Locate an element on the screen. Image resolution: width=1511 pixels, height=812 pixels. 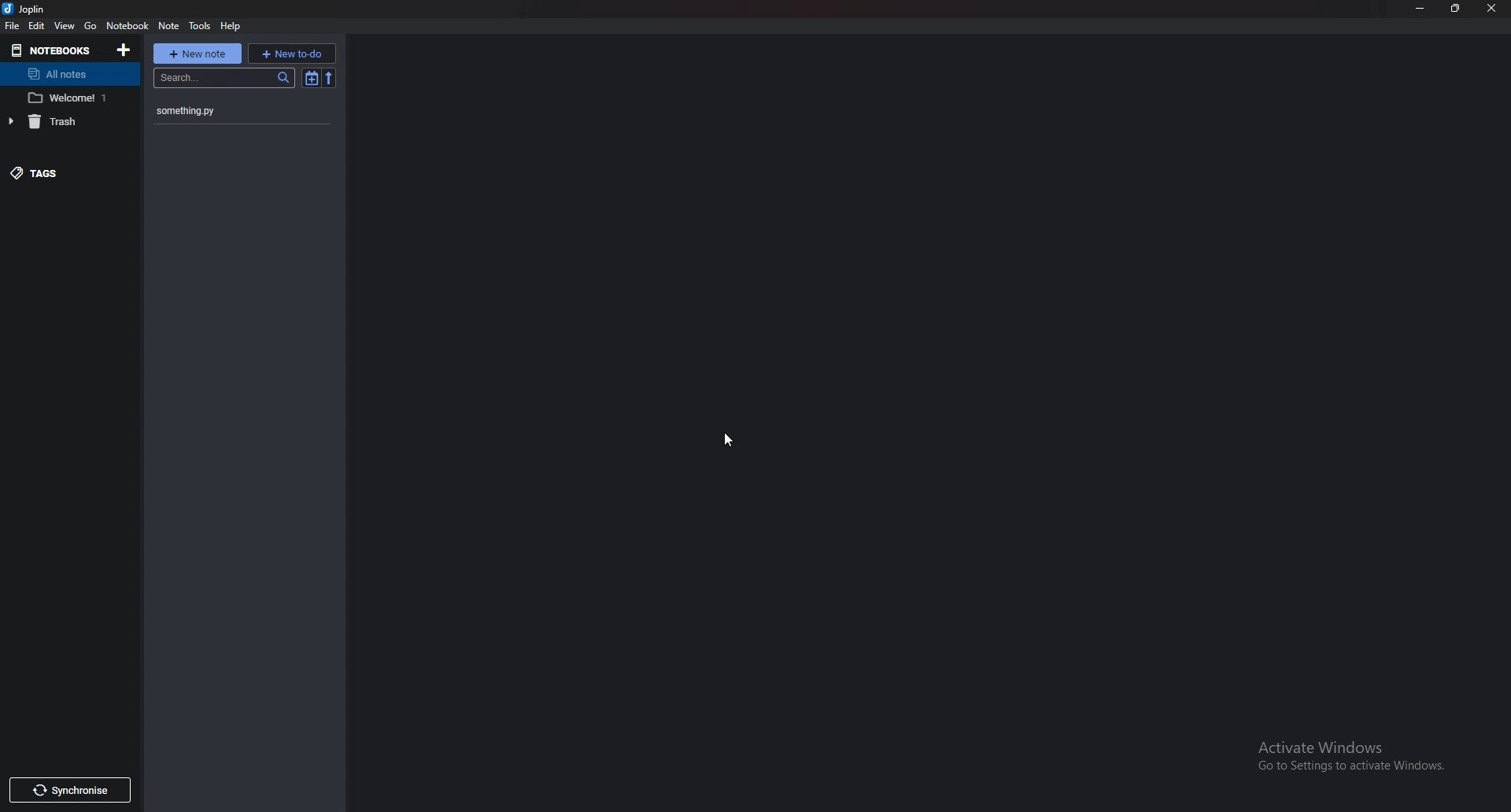
Add notebooks is located at coordinates (123, 49).